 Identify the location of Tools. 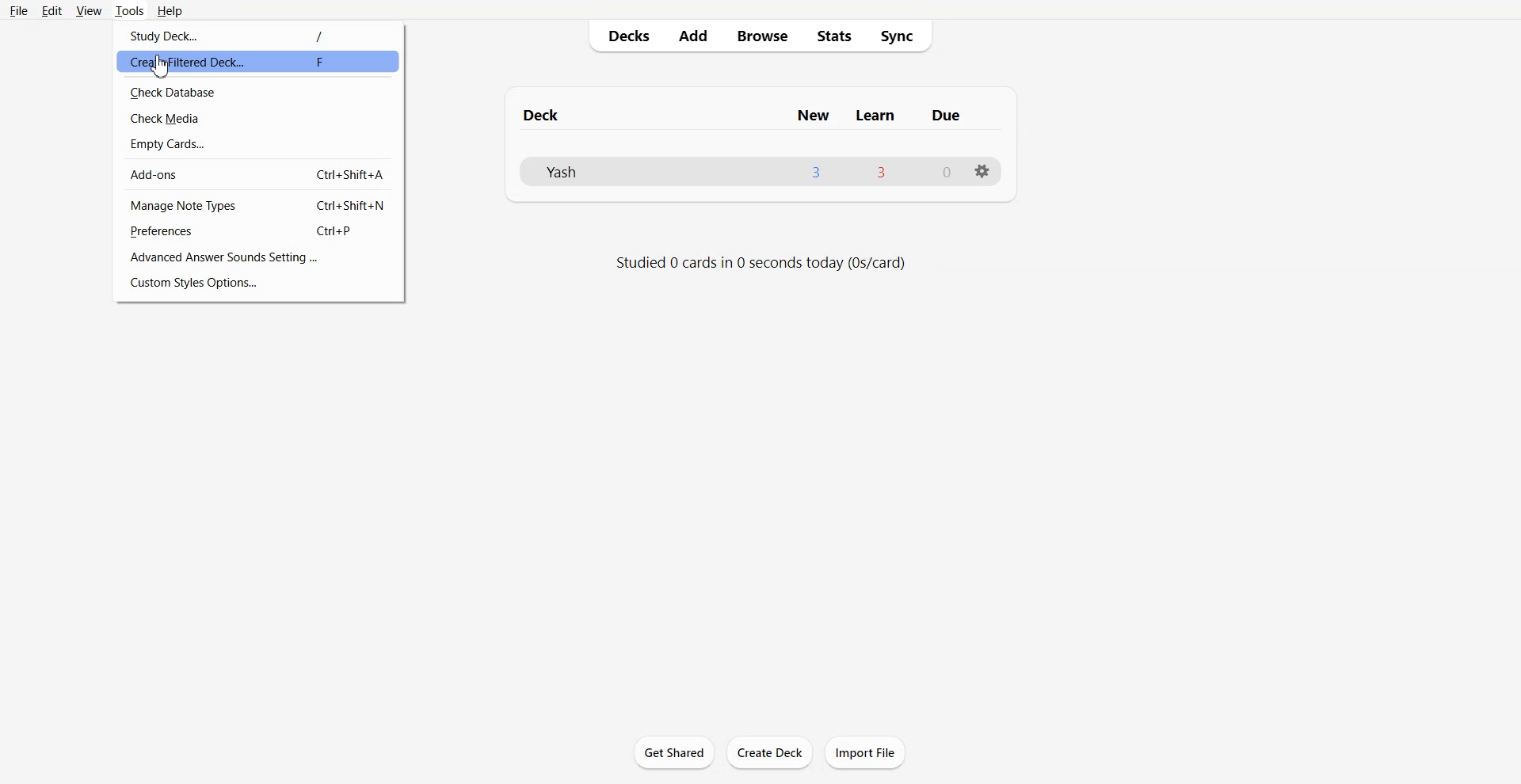
(130, 10).